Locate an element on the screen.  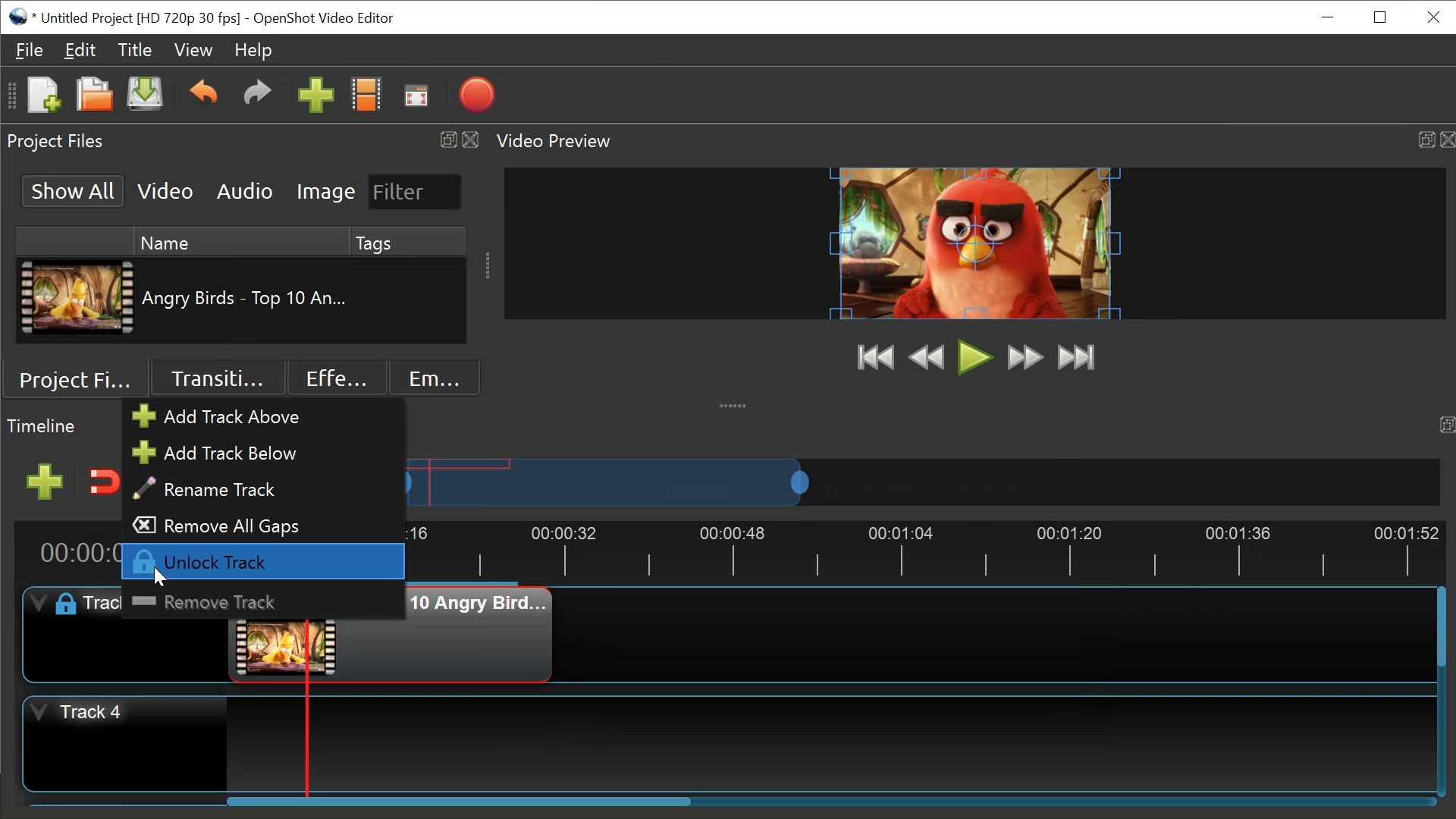
Project Name is located at coordinates (139, 19).